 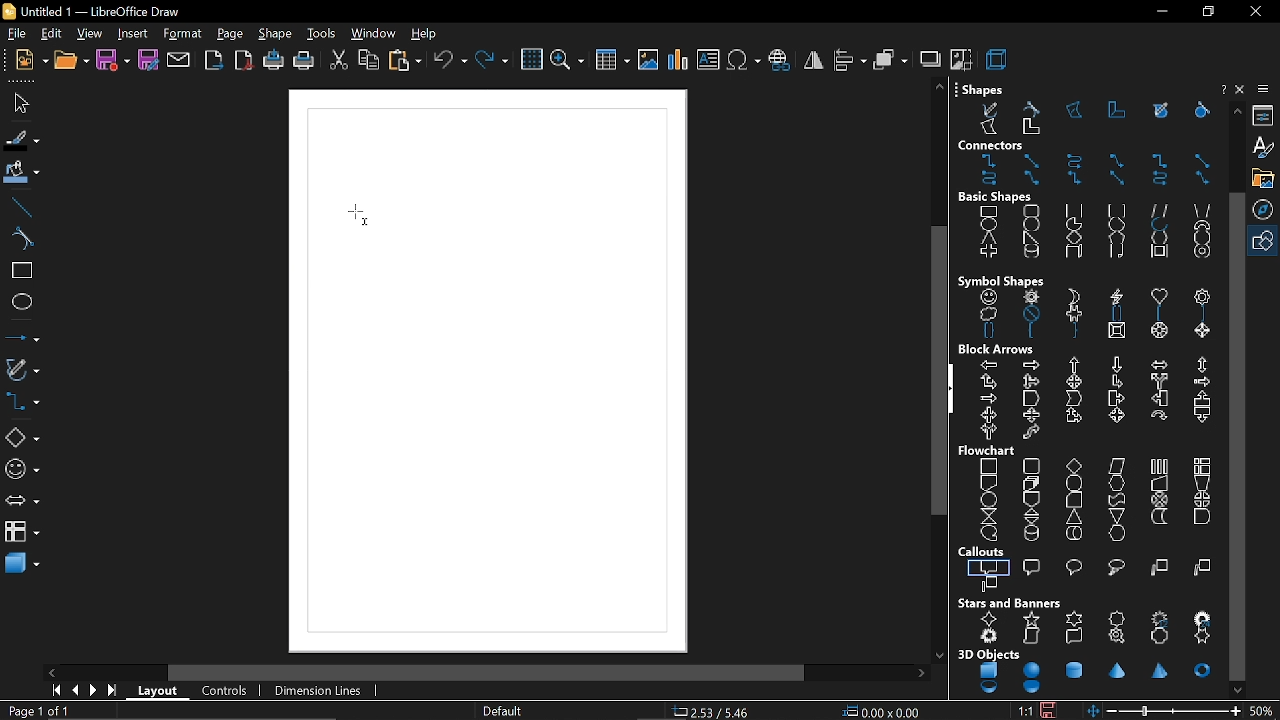 I want to click on internal storage, so click(x=1203, y=465).